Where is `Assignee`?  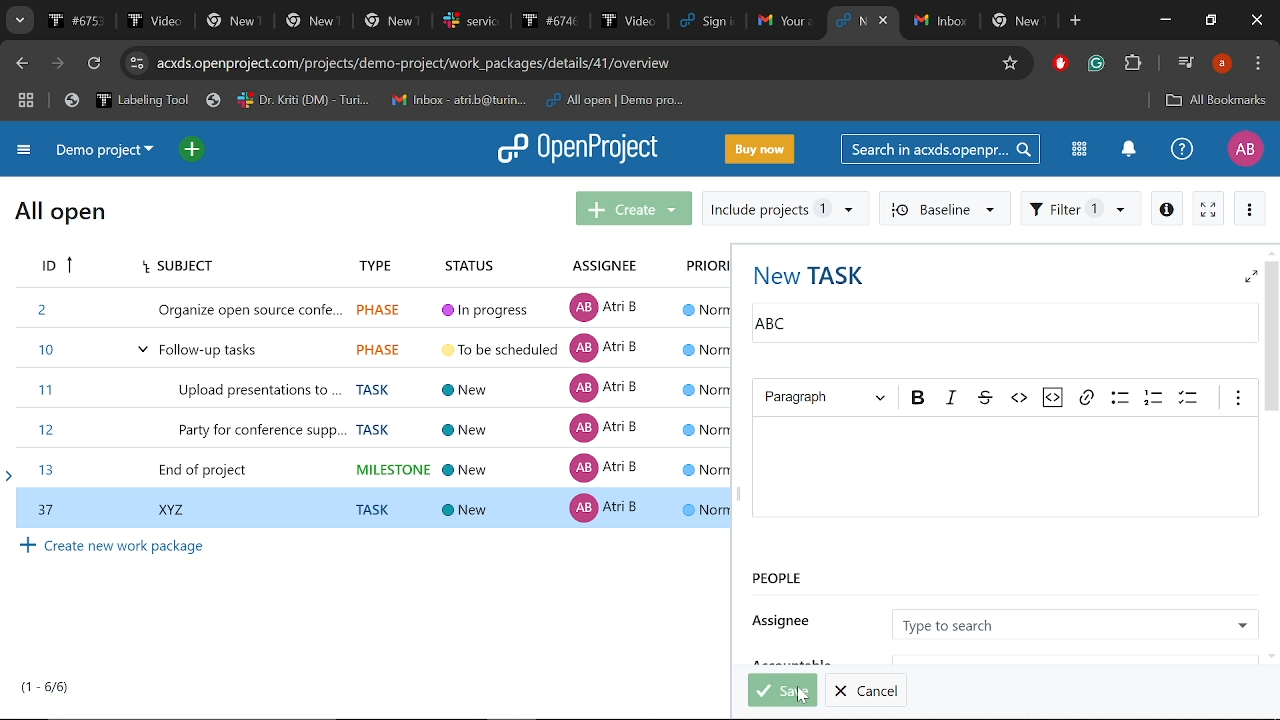 Assignee is located at coordinates (601, 264).